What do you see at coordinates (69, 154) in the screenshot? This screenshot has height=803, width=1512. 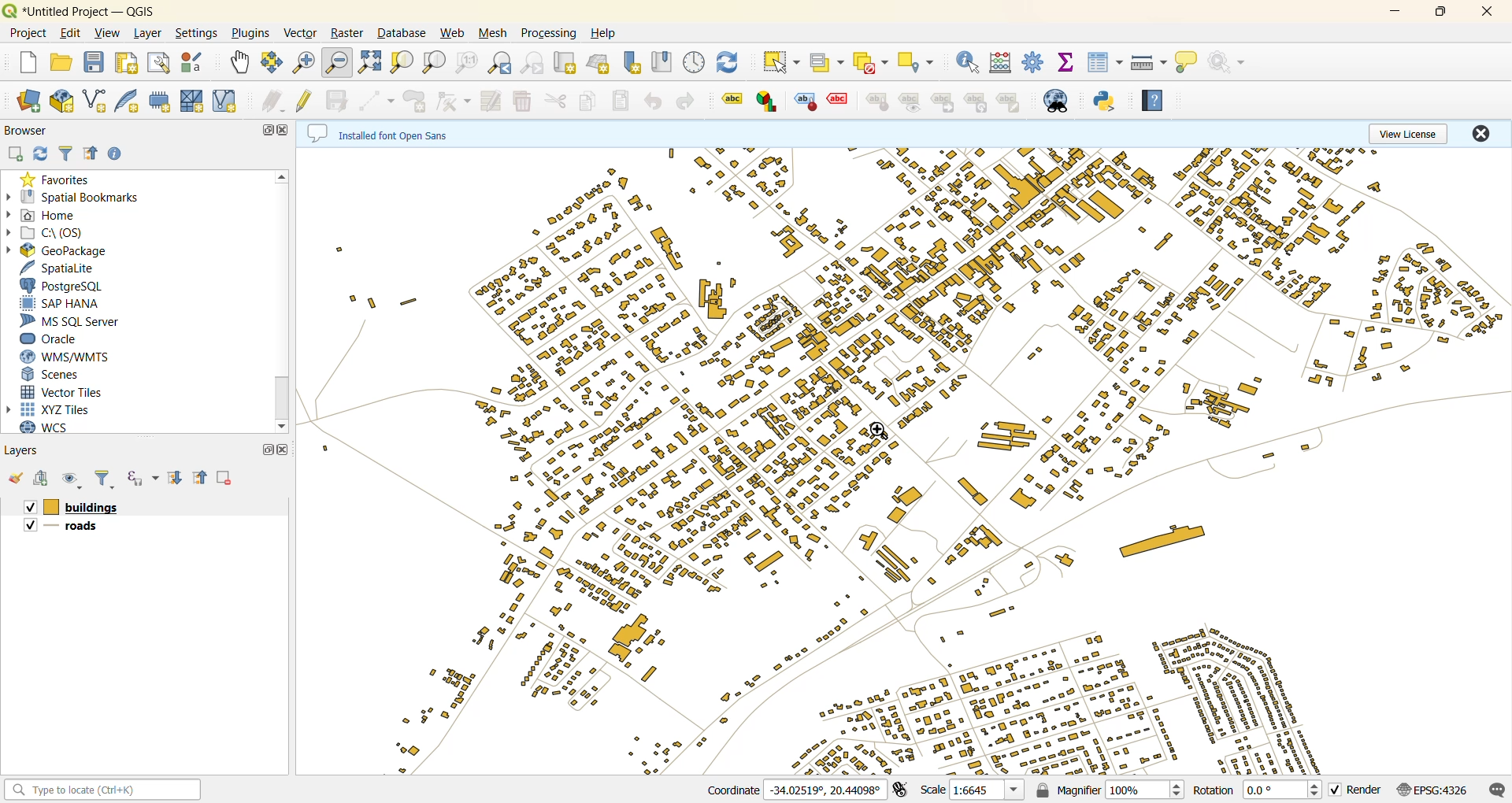 I see `filter` at bounding box center [69, 154].